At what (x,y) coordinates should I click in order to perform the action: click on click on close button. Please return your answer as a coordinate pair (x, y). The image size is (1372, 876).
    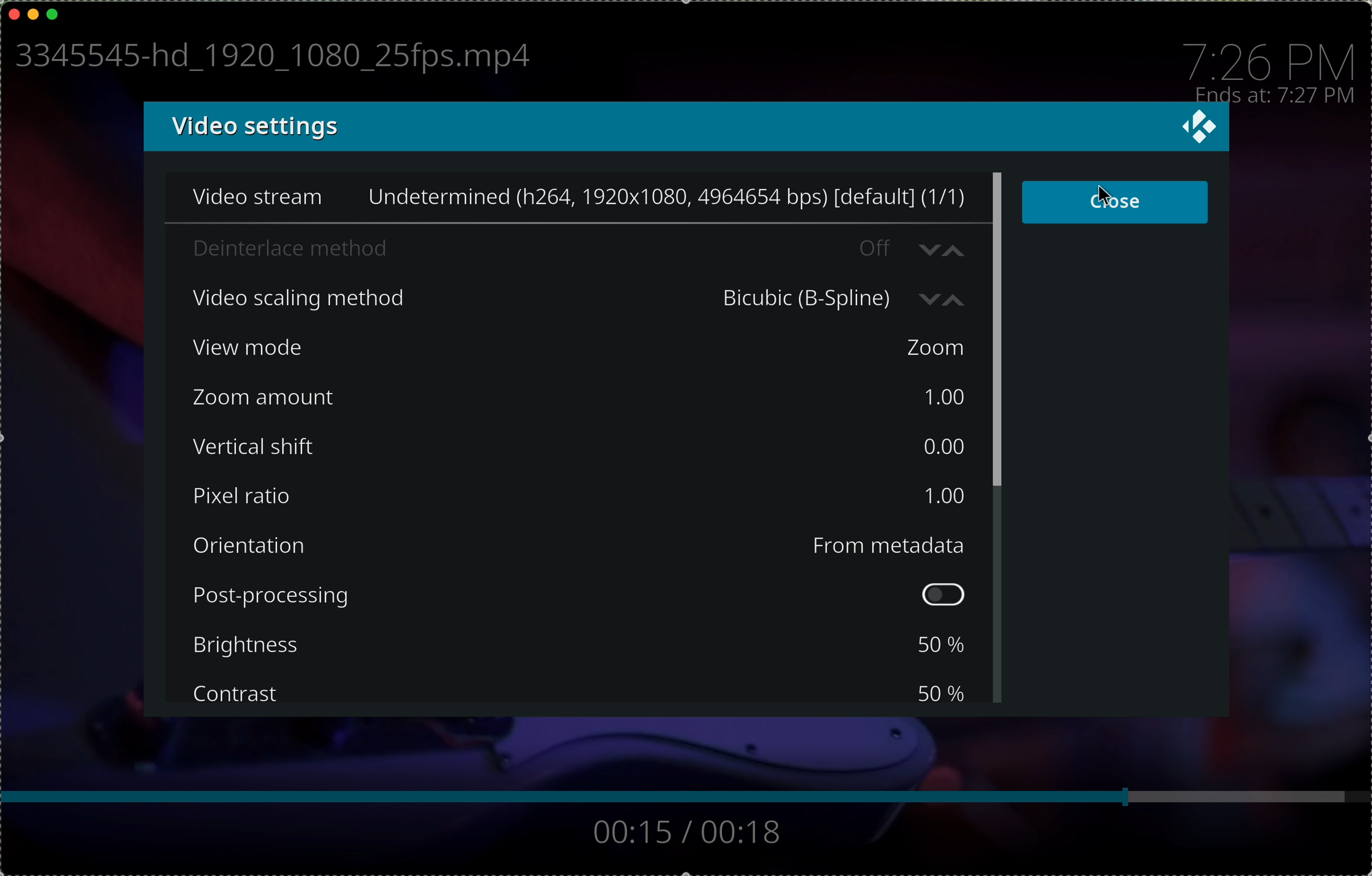
    Looking at the image, I should click on (1114, 202).